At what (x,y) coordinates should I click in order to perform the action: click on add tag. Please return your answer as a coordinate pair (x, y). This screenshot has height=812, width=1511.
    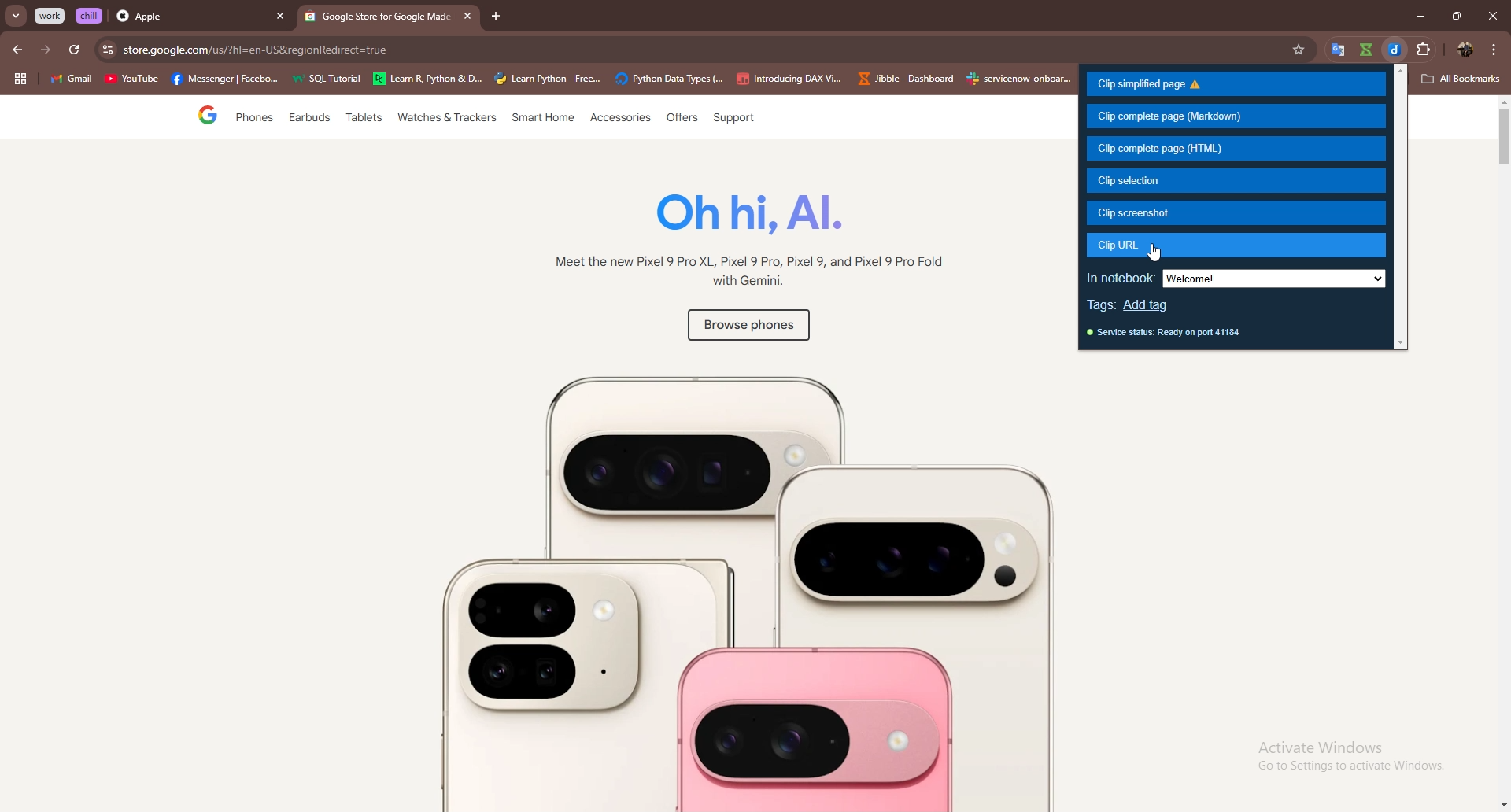
    Looking at the image, I should click on (1149, 304).